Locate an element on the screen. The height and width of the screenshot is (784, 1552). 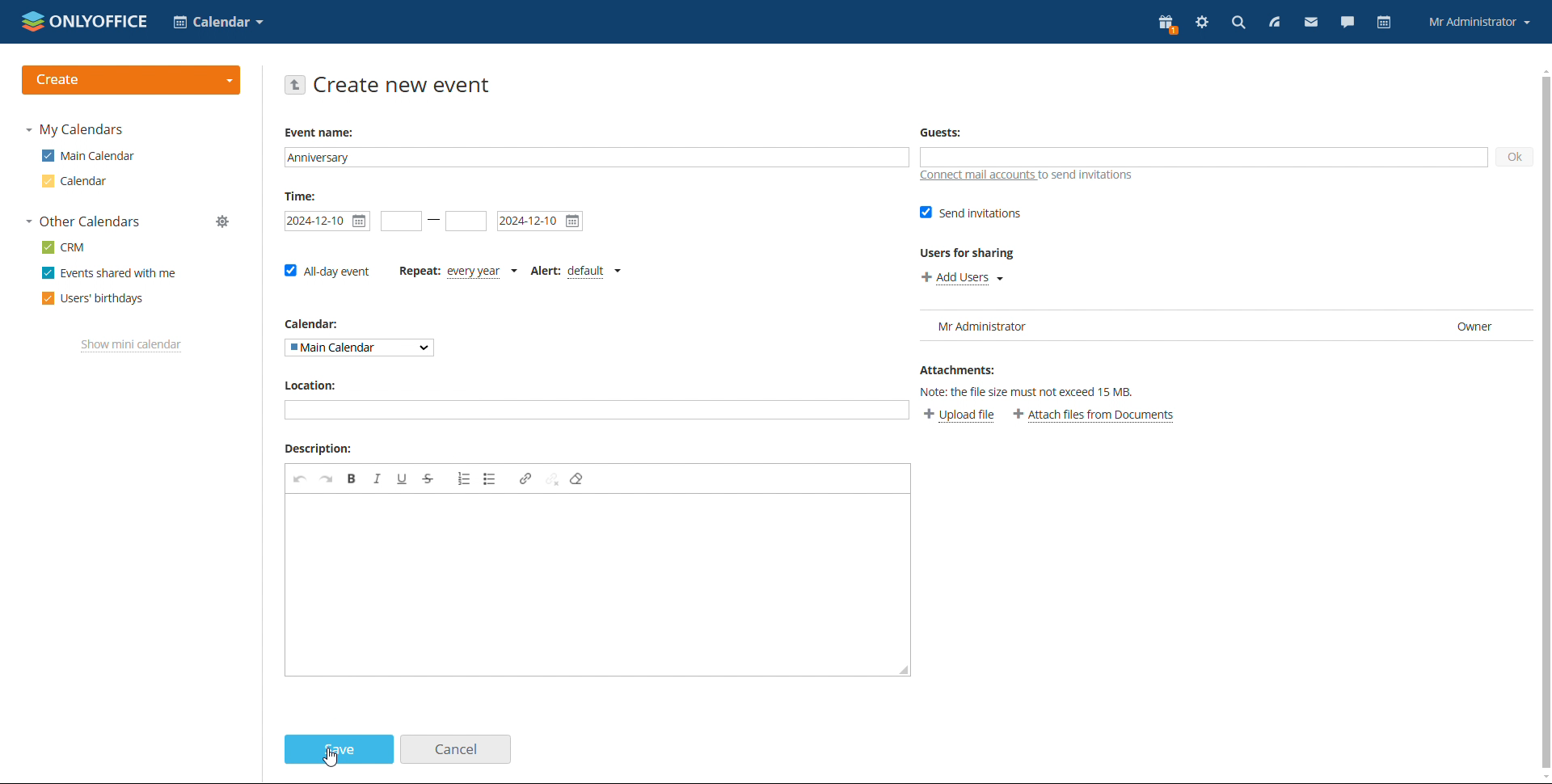
cursor is located at coordinates (341, 760).